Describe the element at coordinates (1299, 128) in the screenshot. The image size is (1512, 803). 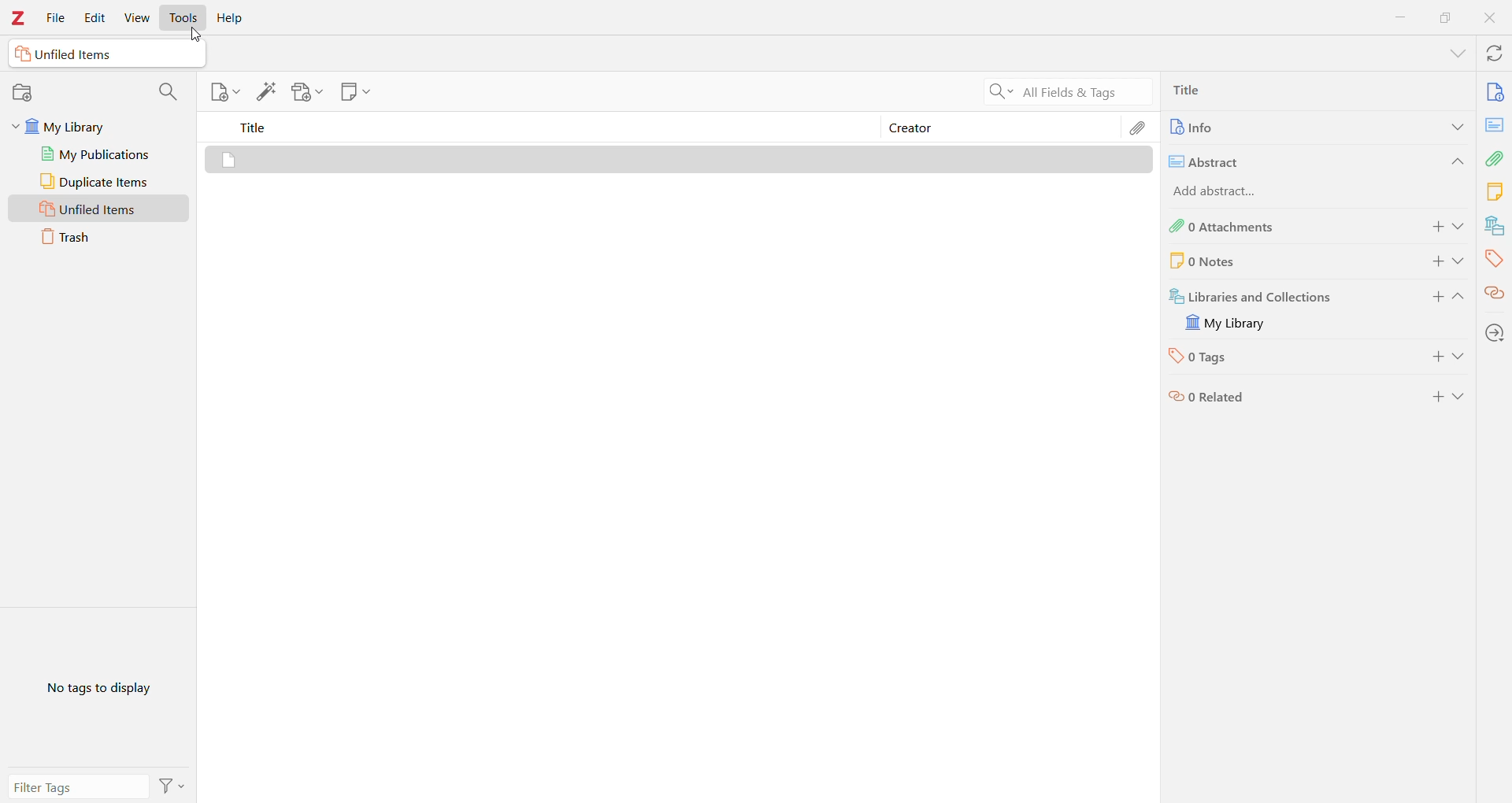
I see `Info` at that location.